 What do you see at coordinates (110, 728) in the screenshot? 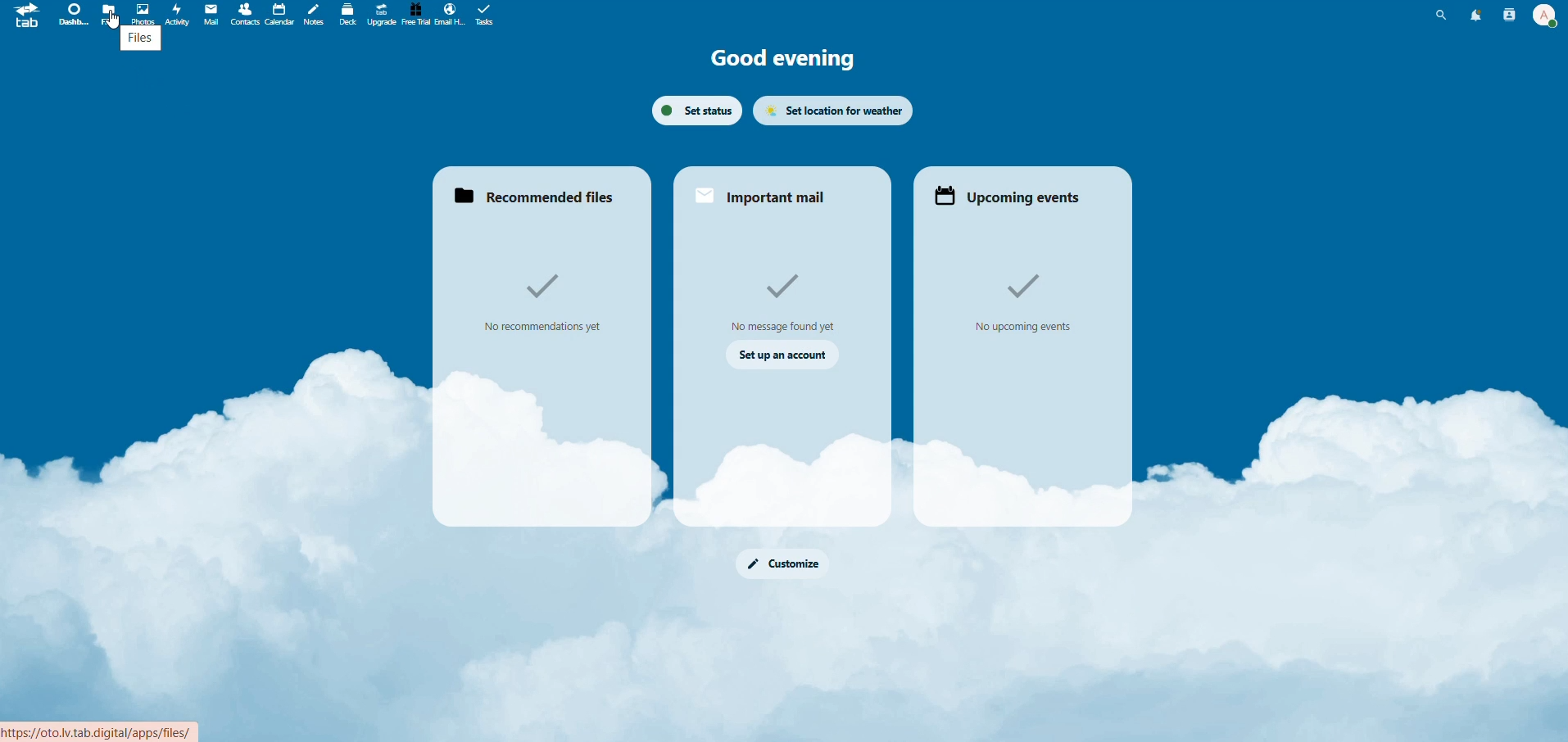
I see `Linl` at bounding box center [110, 728].